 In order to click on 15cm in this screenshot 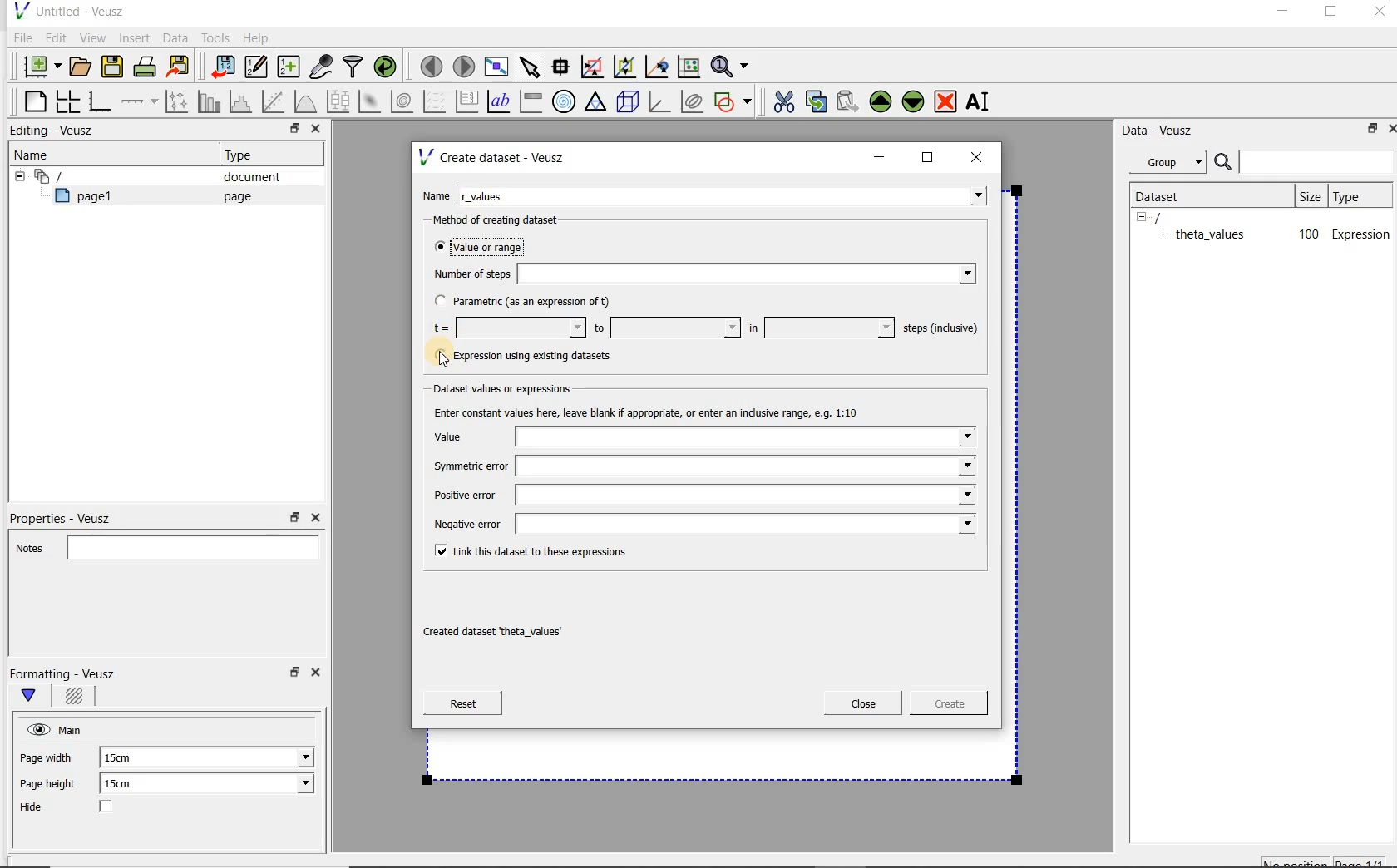, I will do `click(128, 784)`.